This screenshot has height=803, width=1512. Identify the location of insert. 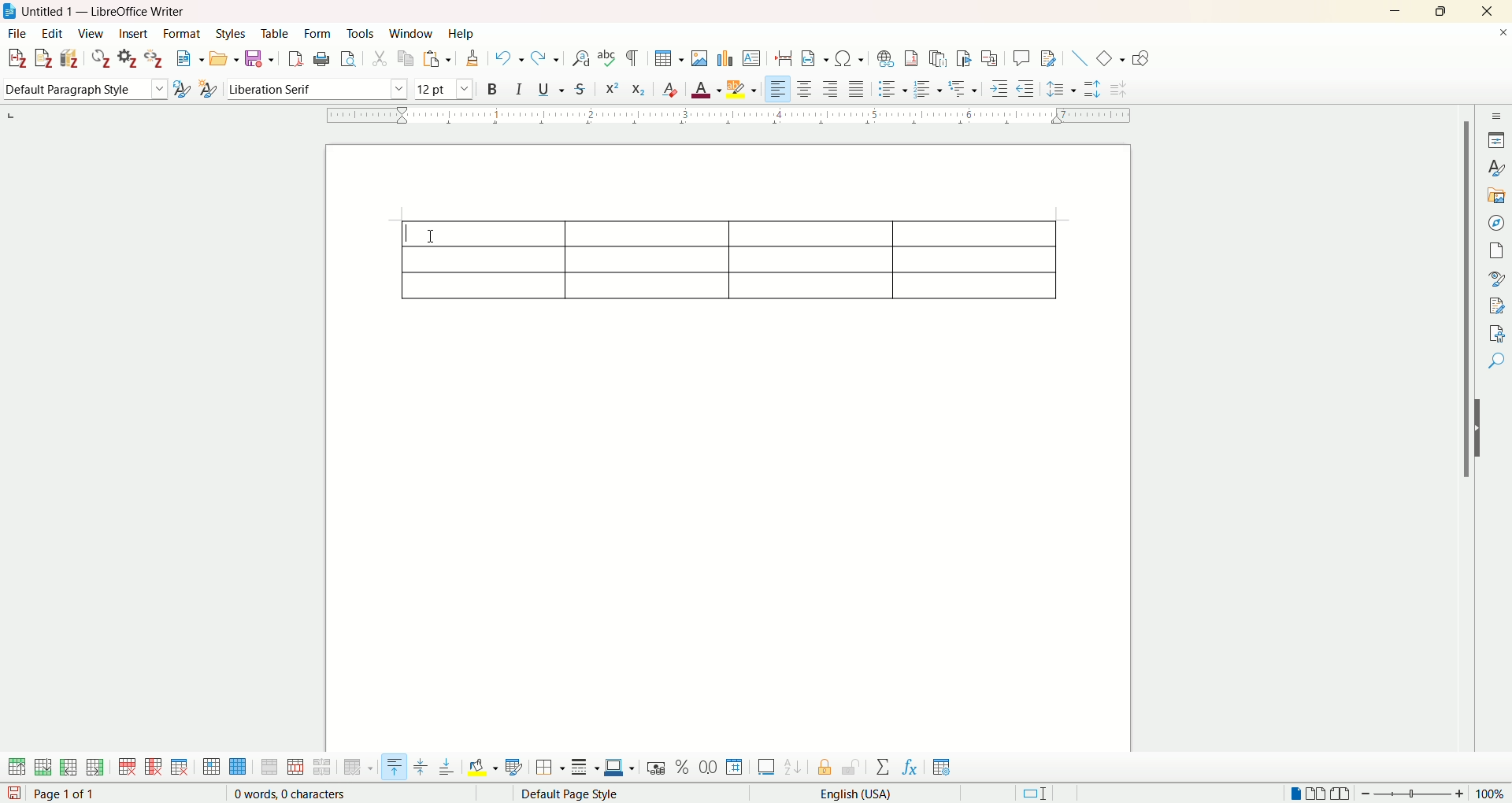
(134, 31).